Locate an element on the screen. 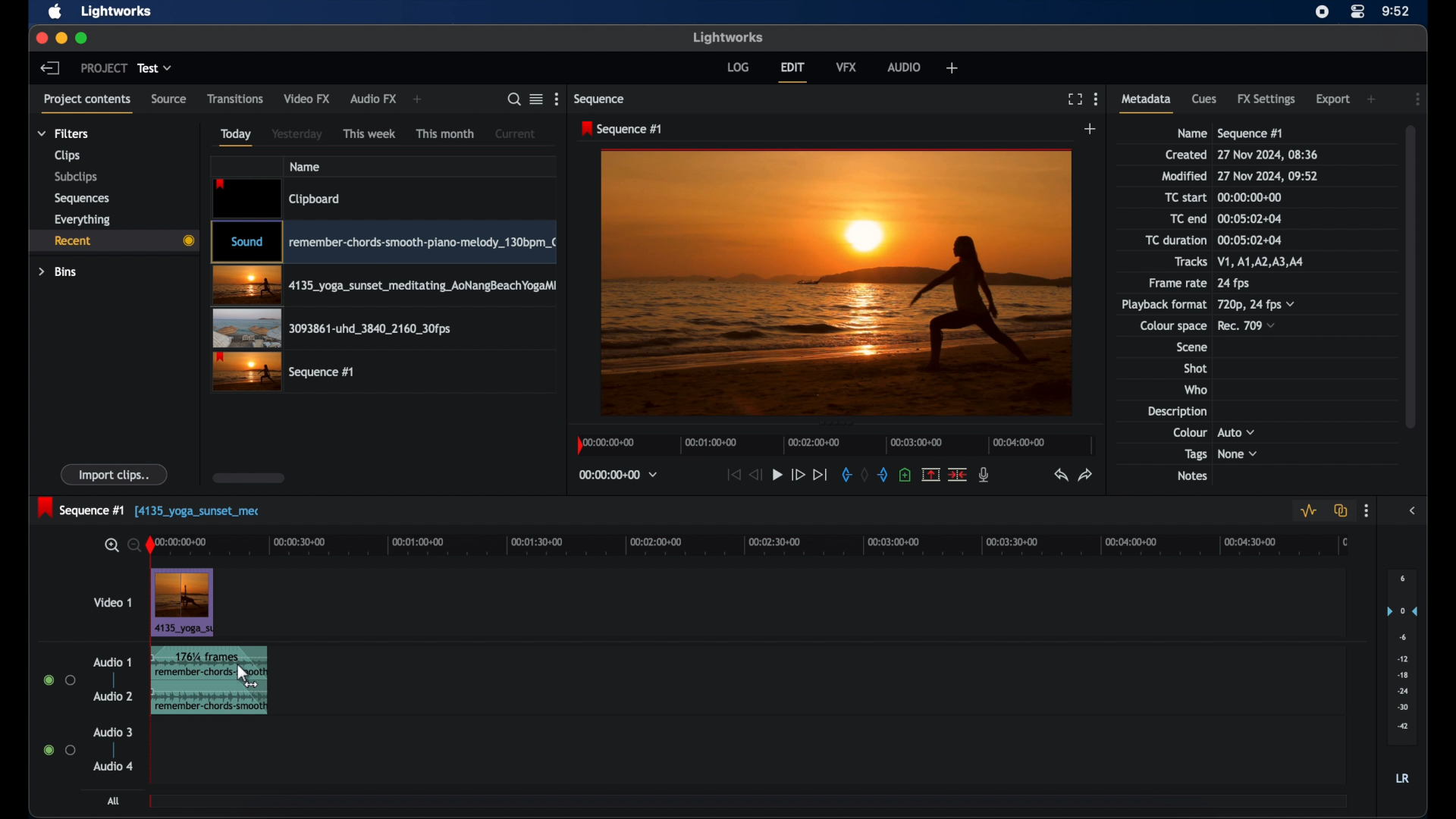 The image size is (1456, 819). audio 1 is located at coordinates (112, 662).